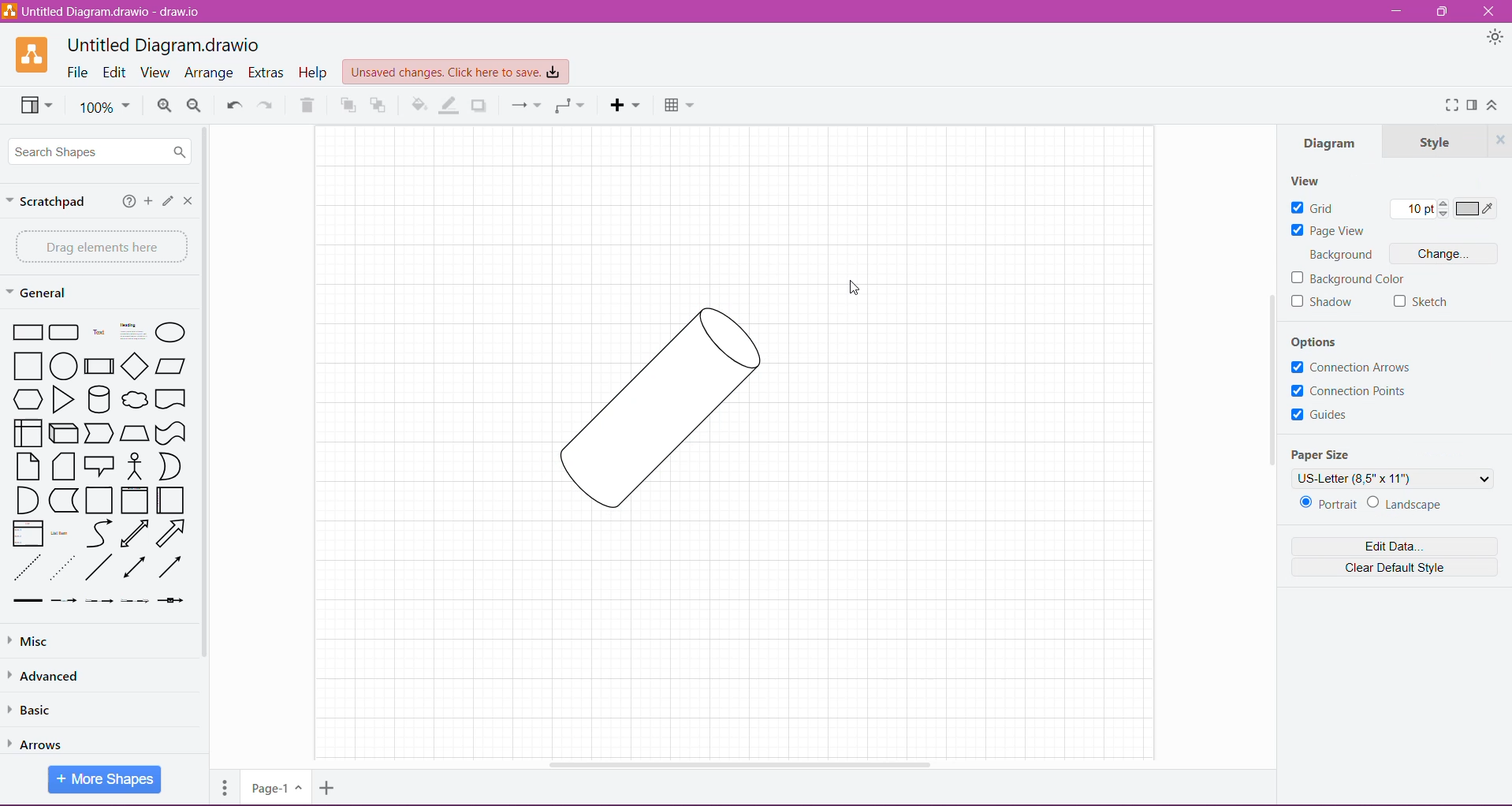 Image resolution: width=1512 pixels, height=806 pixels. What do you see at coordinates (1492, 12) in the screenshot?
I see `Close` at bounding box center [1492, 12].